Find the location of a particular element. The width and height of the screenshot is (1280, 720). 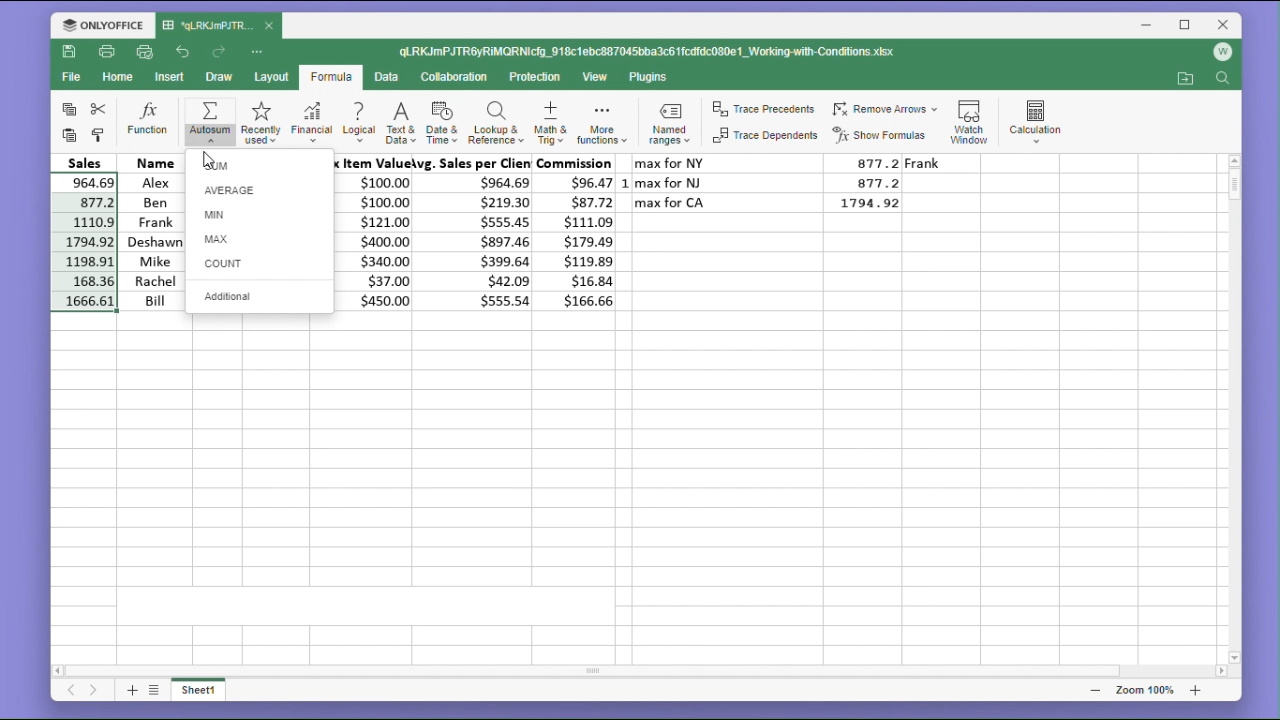

max is located at coordinates (258, 237).